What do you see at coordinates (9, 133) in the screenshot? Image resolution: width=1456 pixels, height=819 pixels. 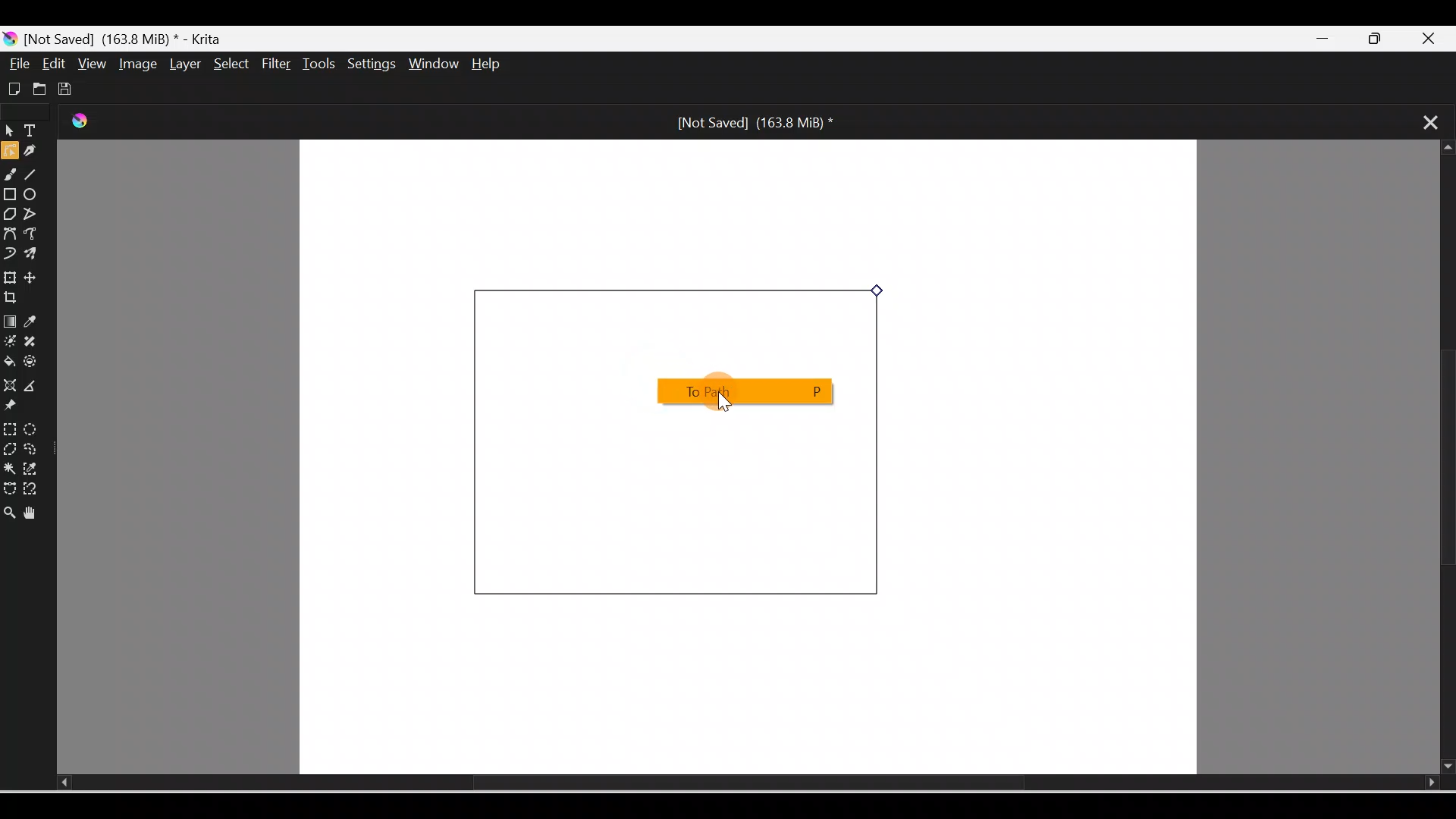 I see `Select shapes tool` at bounding box center [9, 133].